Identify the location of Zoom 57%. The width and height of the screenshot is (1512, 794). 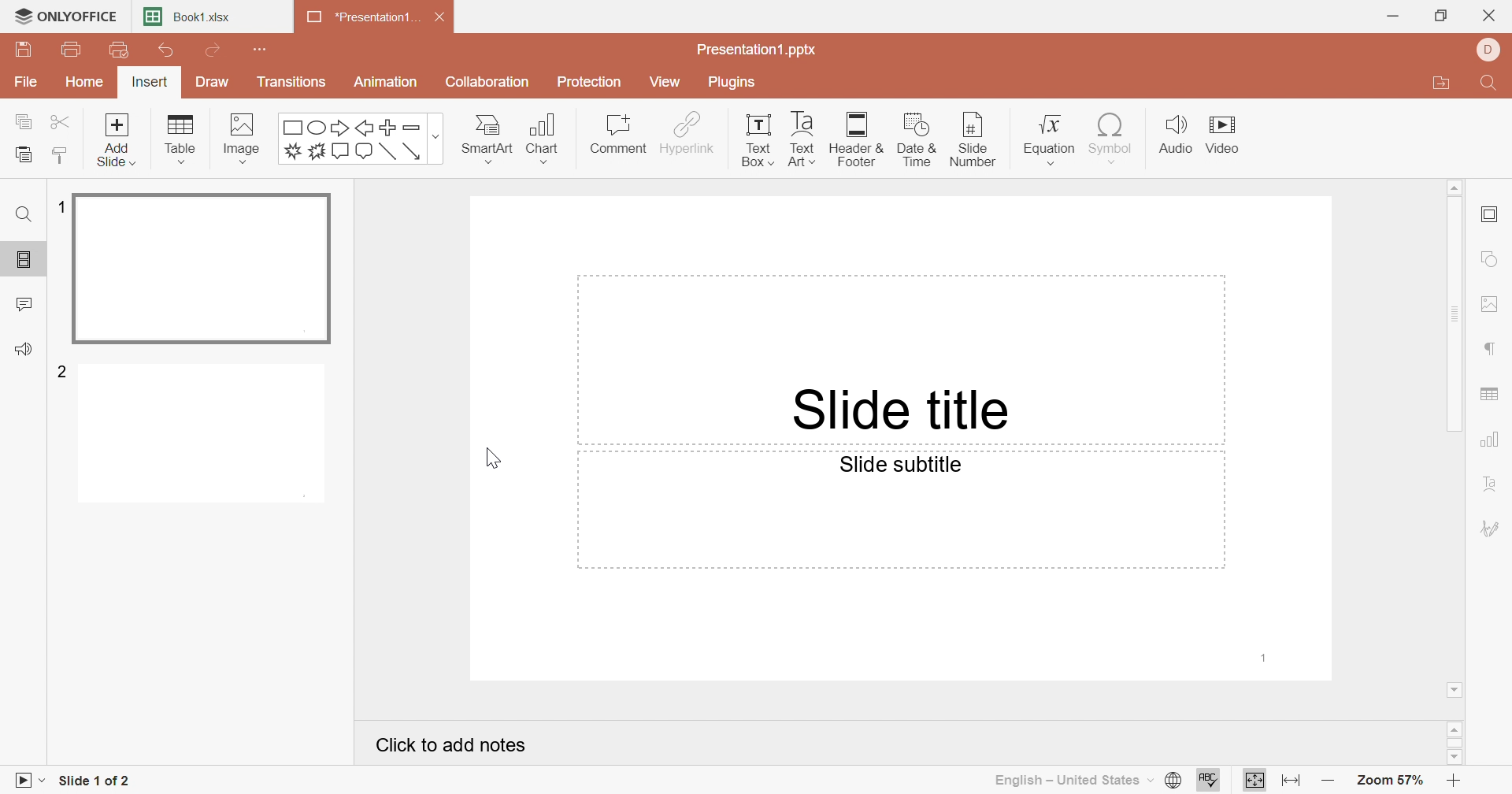
(1392, 783).